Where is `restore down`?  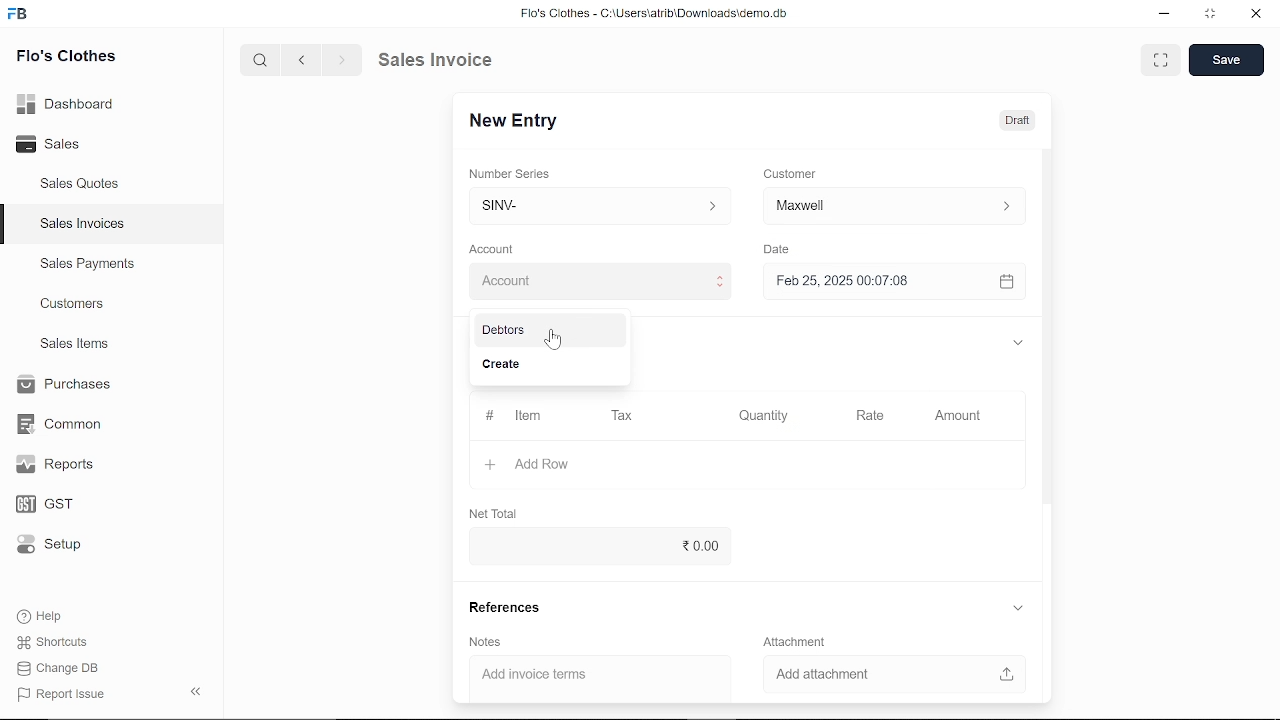 restore down is located at coordinates (1207, 15).